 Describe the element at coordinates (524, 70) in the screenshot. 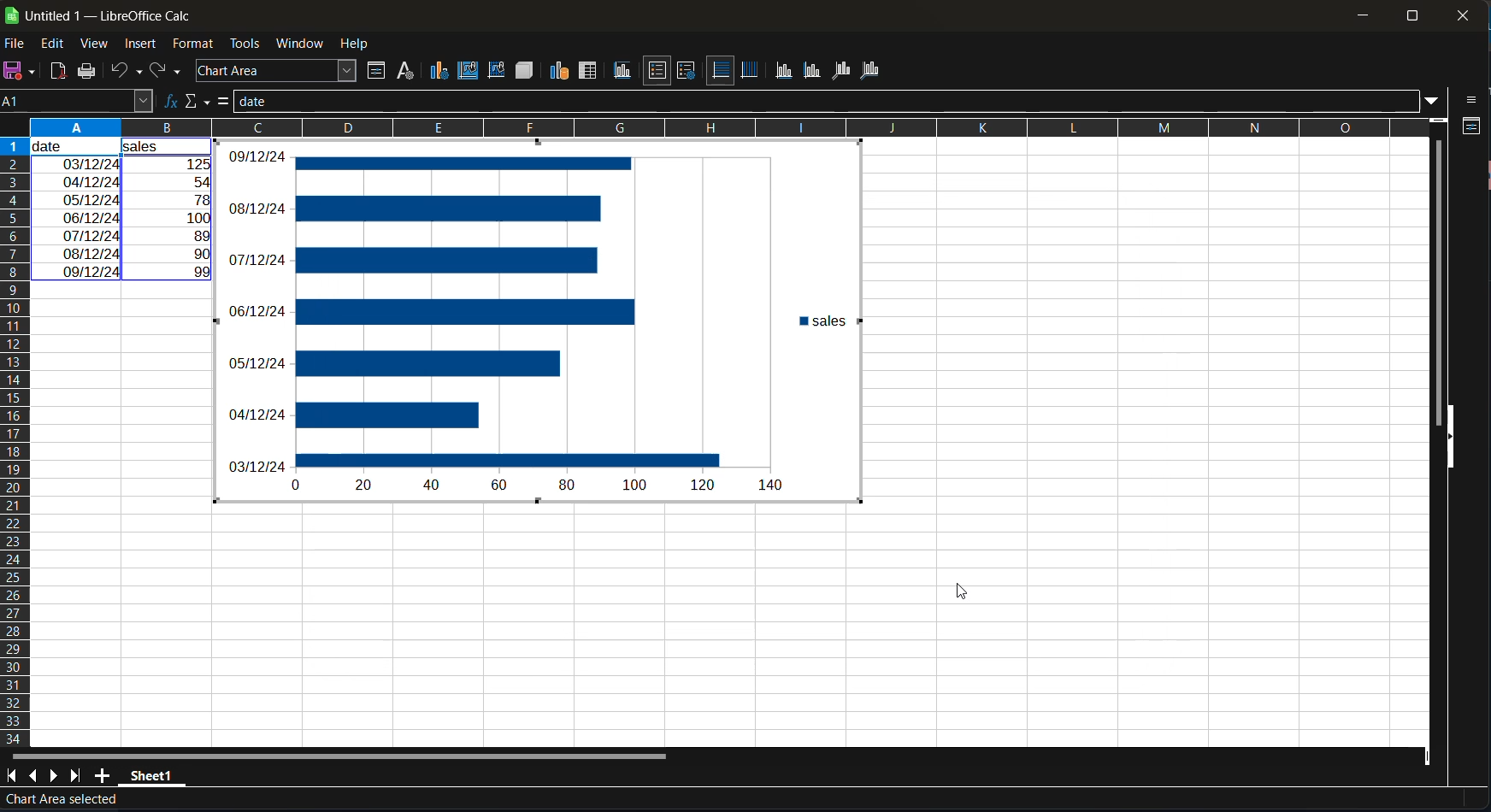

I see `3d view` at that location.